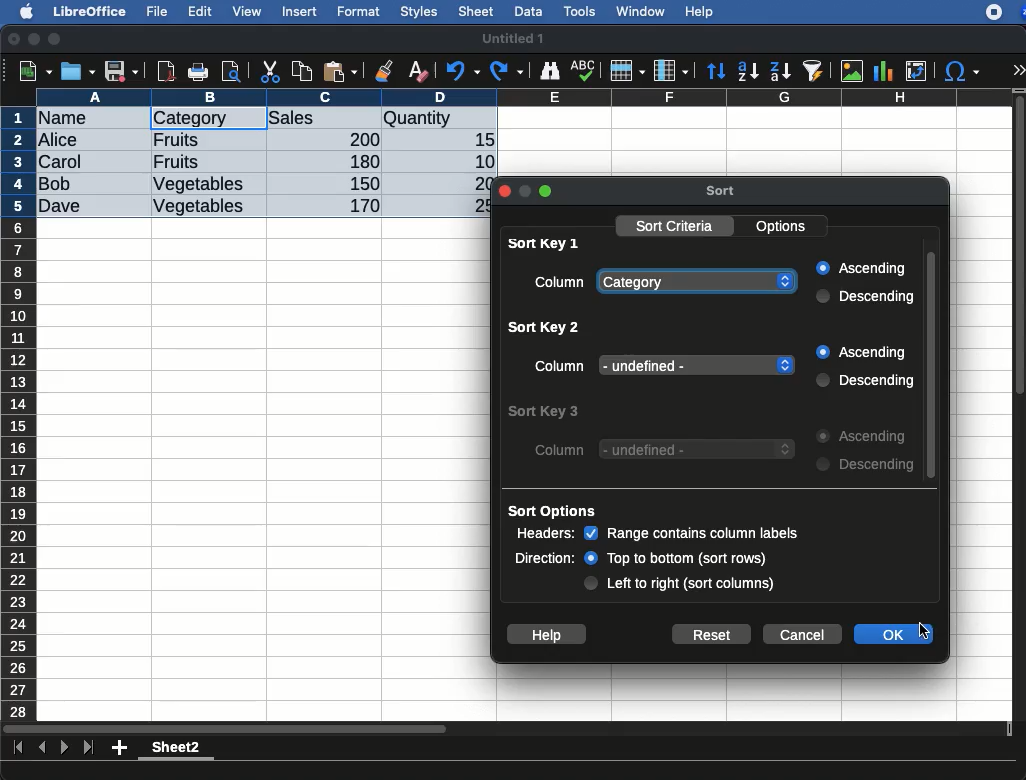  I want to click on redo, so click(507, 71).